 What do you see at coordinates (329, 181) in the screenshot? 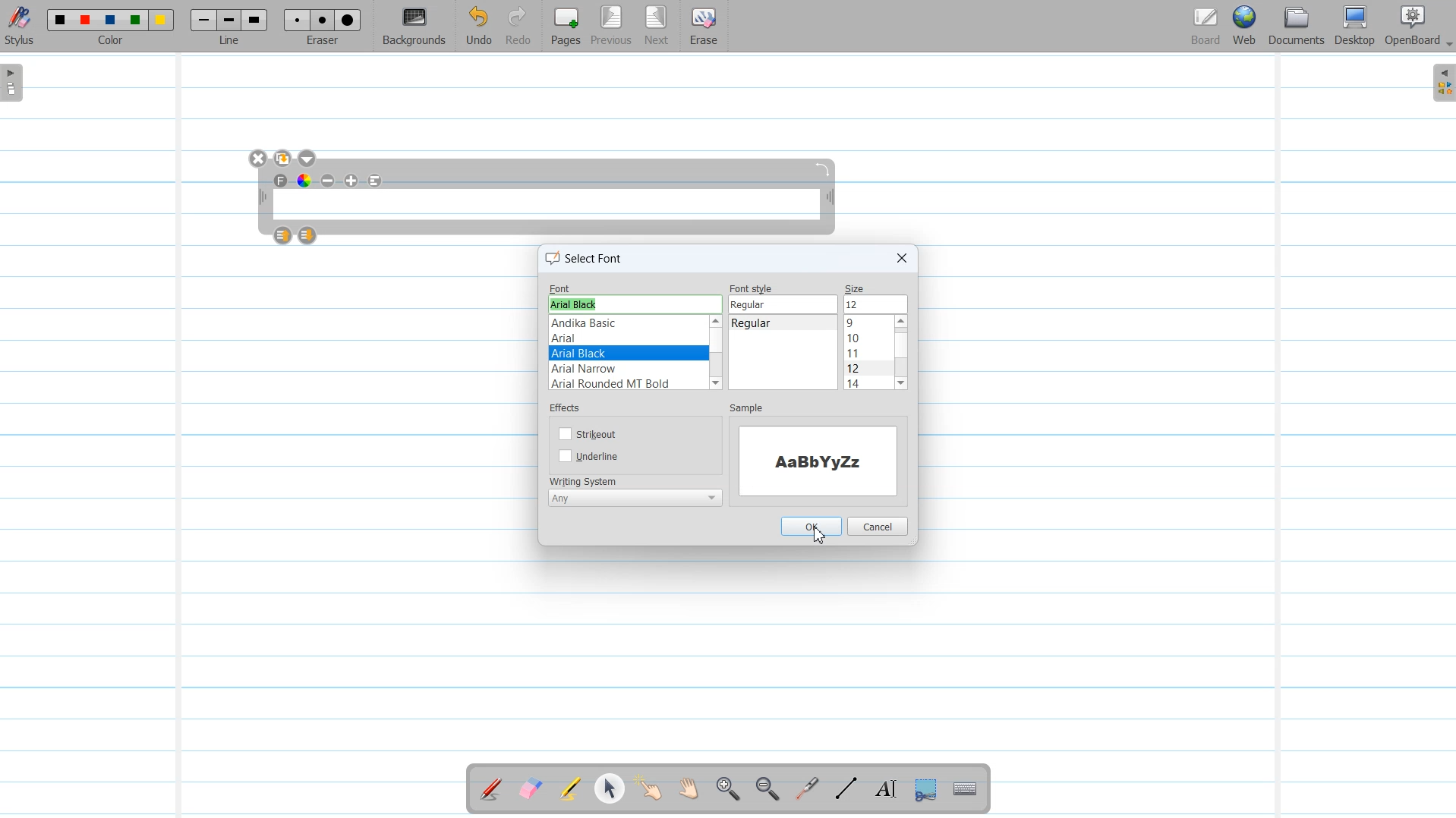
I see `Minimize text size` at bounding box center [329, 181].